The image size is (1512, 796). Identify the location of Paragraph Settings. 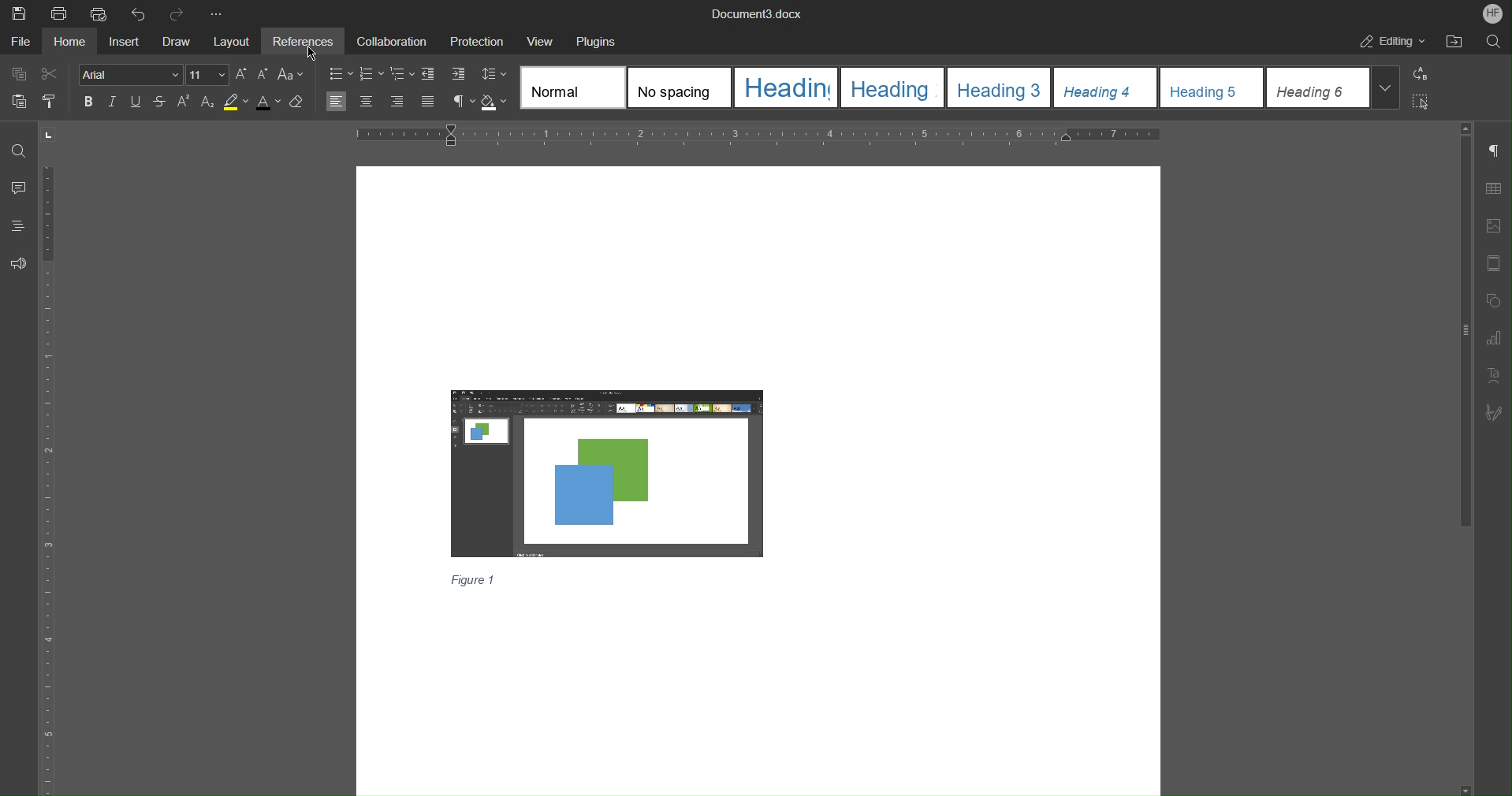
(1494, 153).